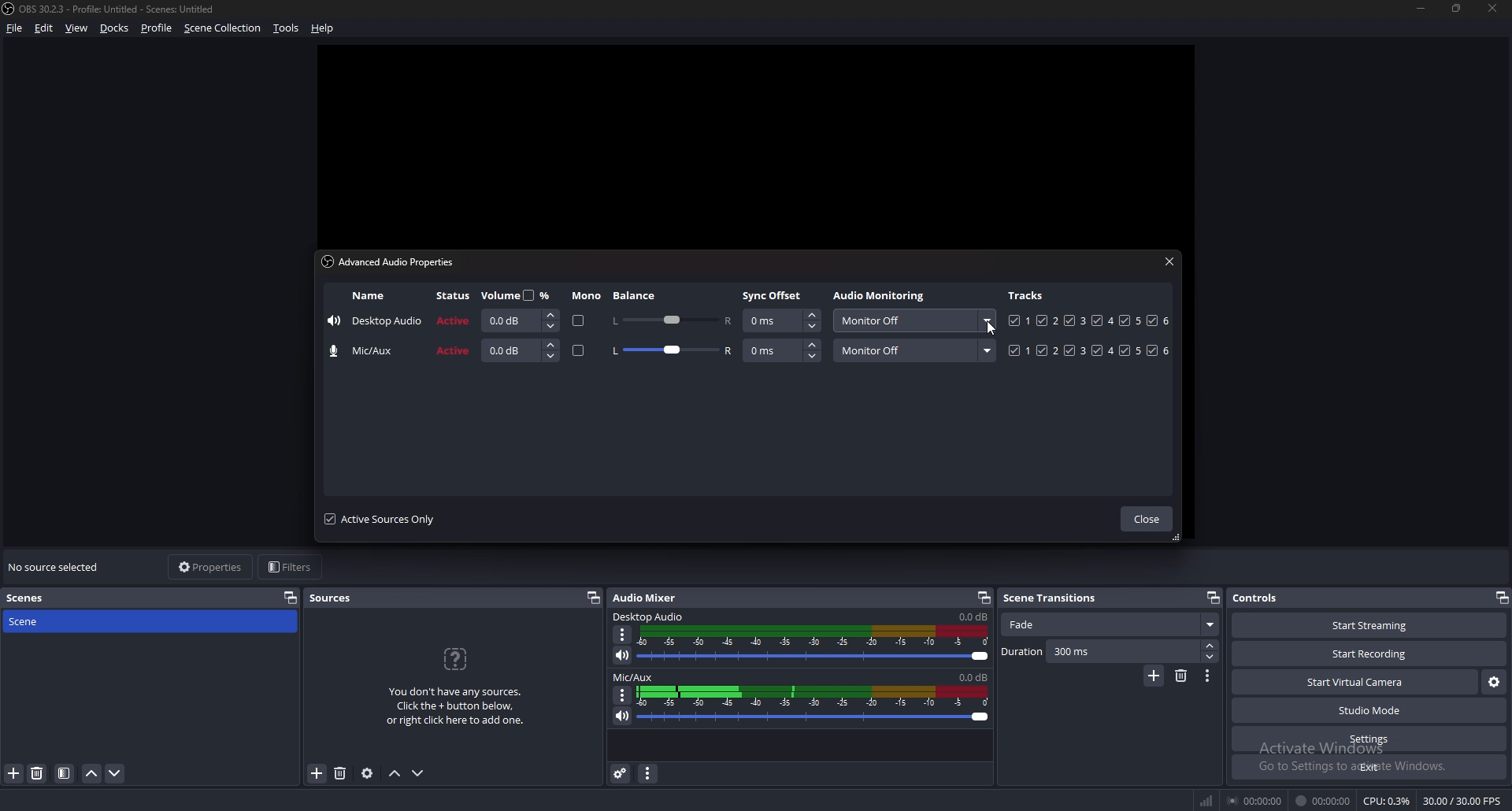 The width and height of the screenshot is (1512, 811). What do you see at coordinates (117, 28) in the screenshot?
I see `docks` at bounding box center [117, 28].